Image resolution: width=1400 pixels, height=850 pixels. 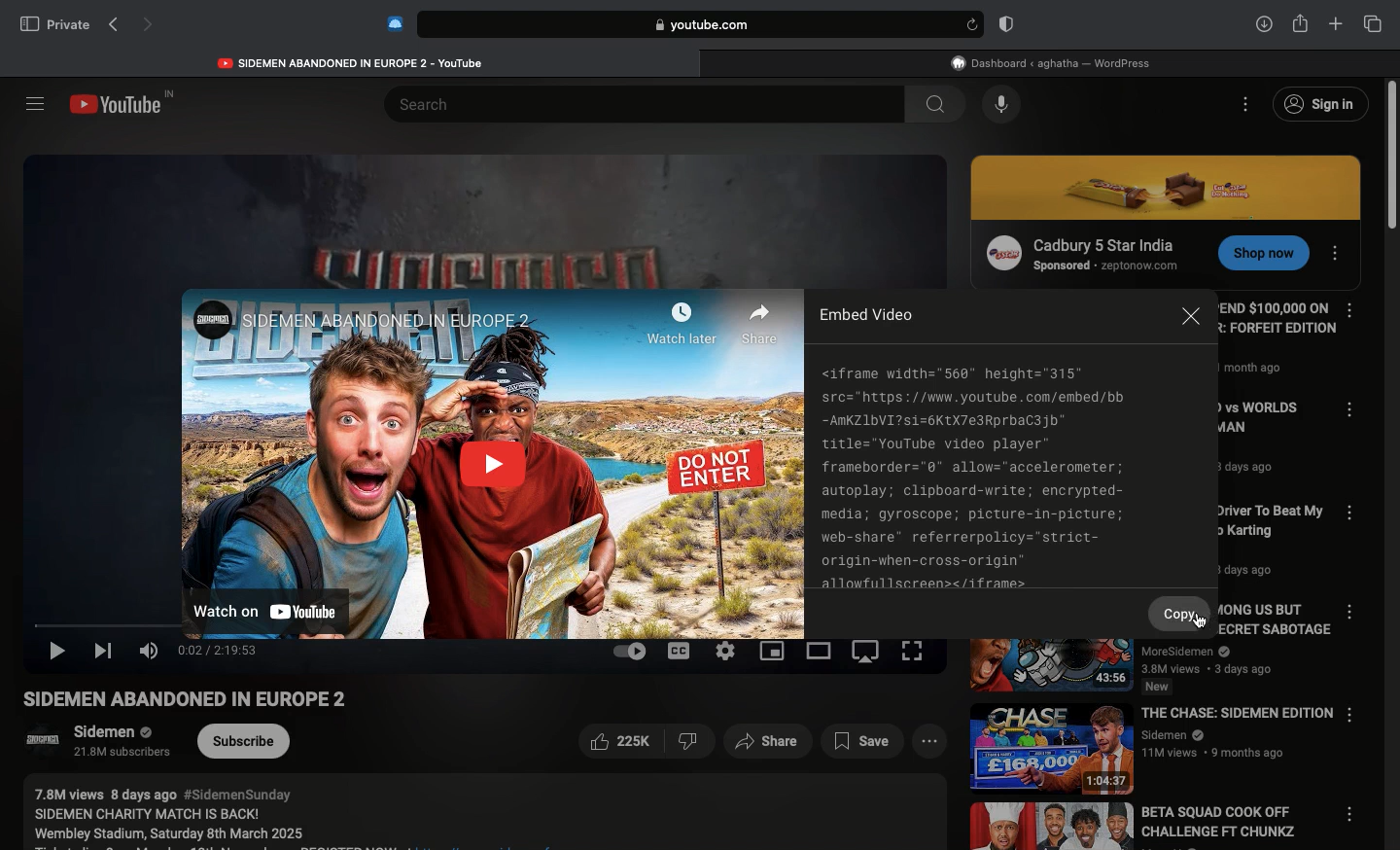 I want to click on Sign in, so click(x=1319, y=105).